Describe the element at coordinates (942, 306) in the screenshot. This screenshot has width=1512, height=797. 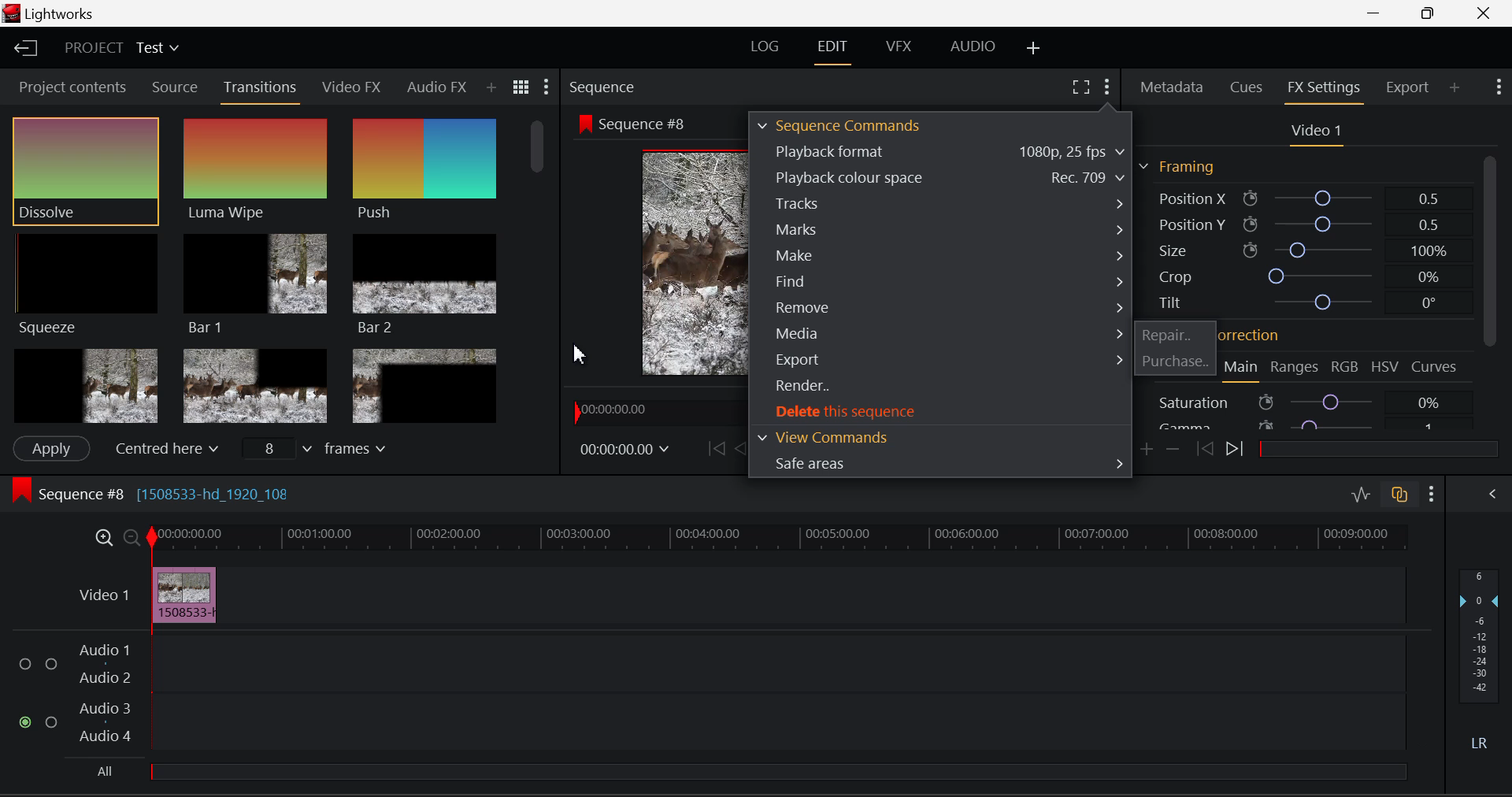
I see `Remove` at that location.